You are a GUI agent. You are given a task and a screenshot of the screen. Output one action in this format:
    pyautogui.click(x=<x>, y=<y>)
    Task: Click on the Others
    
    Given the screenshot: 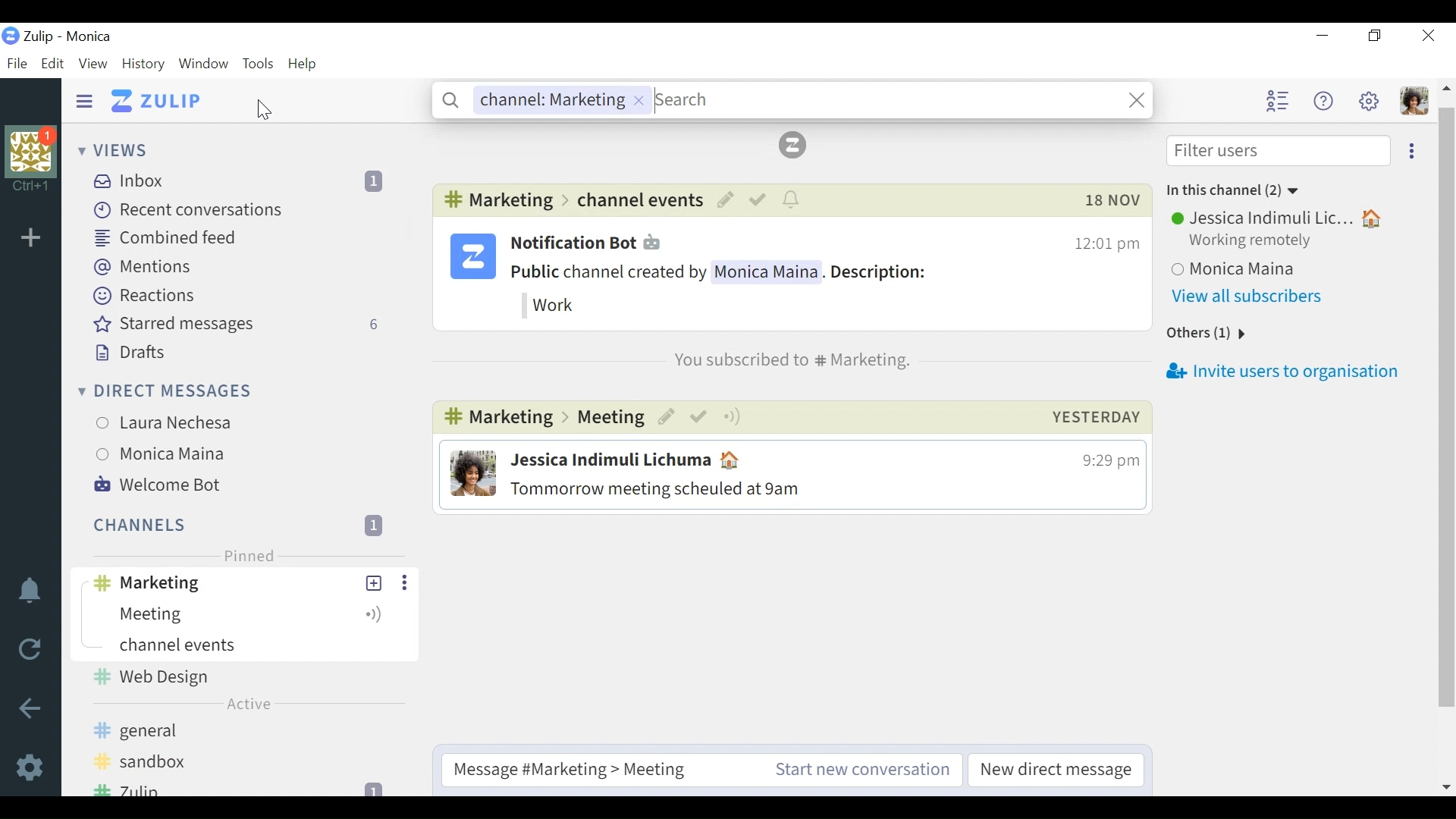 What is the action you would take?
    pyautogui.click(x=1211, y=334)
    